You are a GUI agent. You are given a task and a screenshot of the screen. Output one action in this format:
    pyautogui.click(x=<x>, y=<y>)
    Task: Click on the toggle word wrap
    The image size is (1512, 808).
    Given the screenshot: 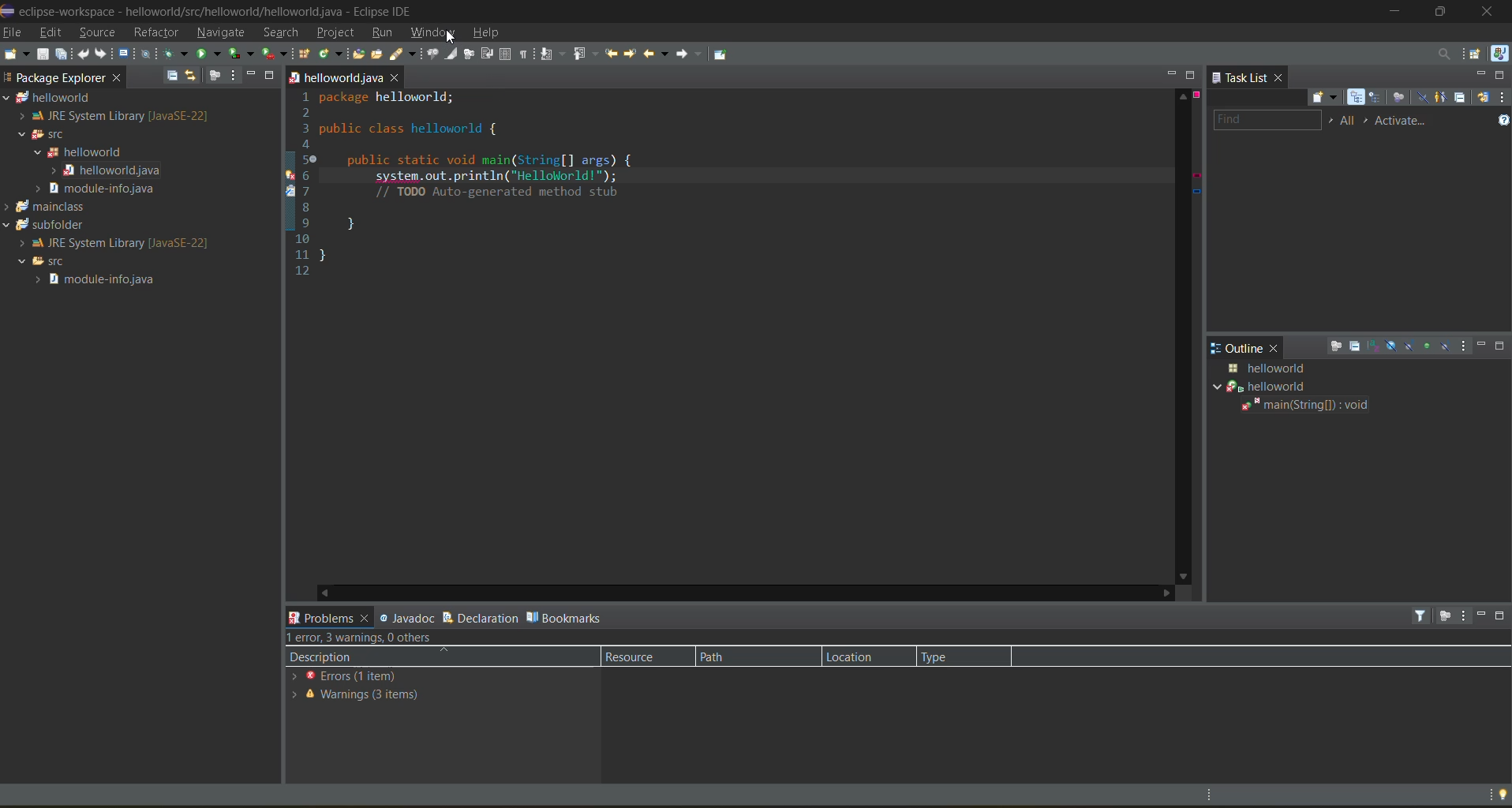 What is the action you would take?
    pyautogui.click(x=485, y=54)
    